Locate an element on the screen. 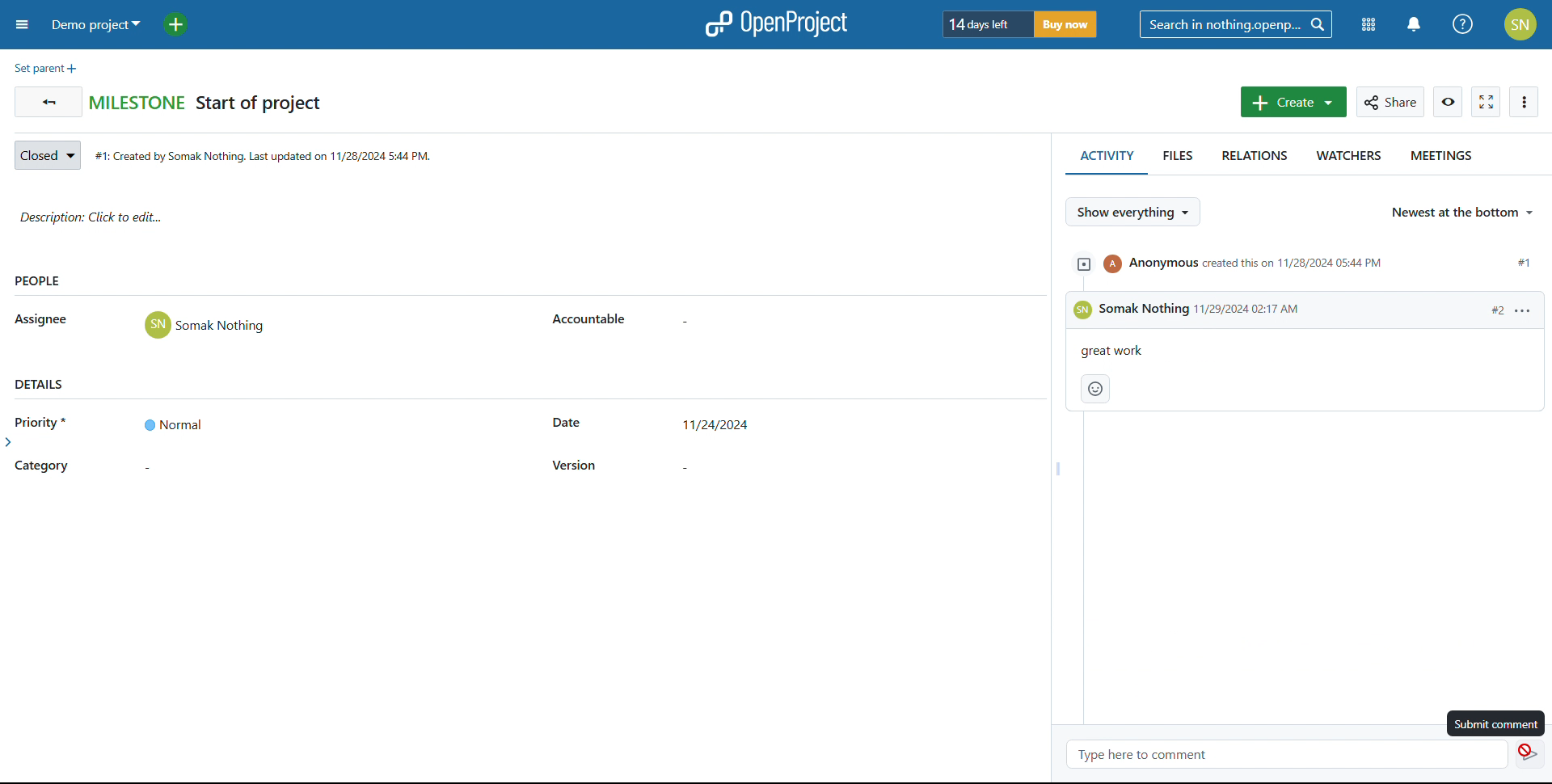  watchers is located at coordinates (1346, 159).